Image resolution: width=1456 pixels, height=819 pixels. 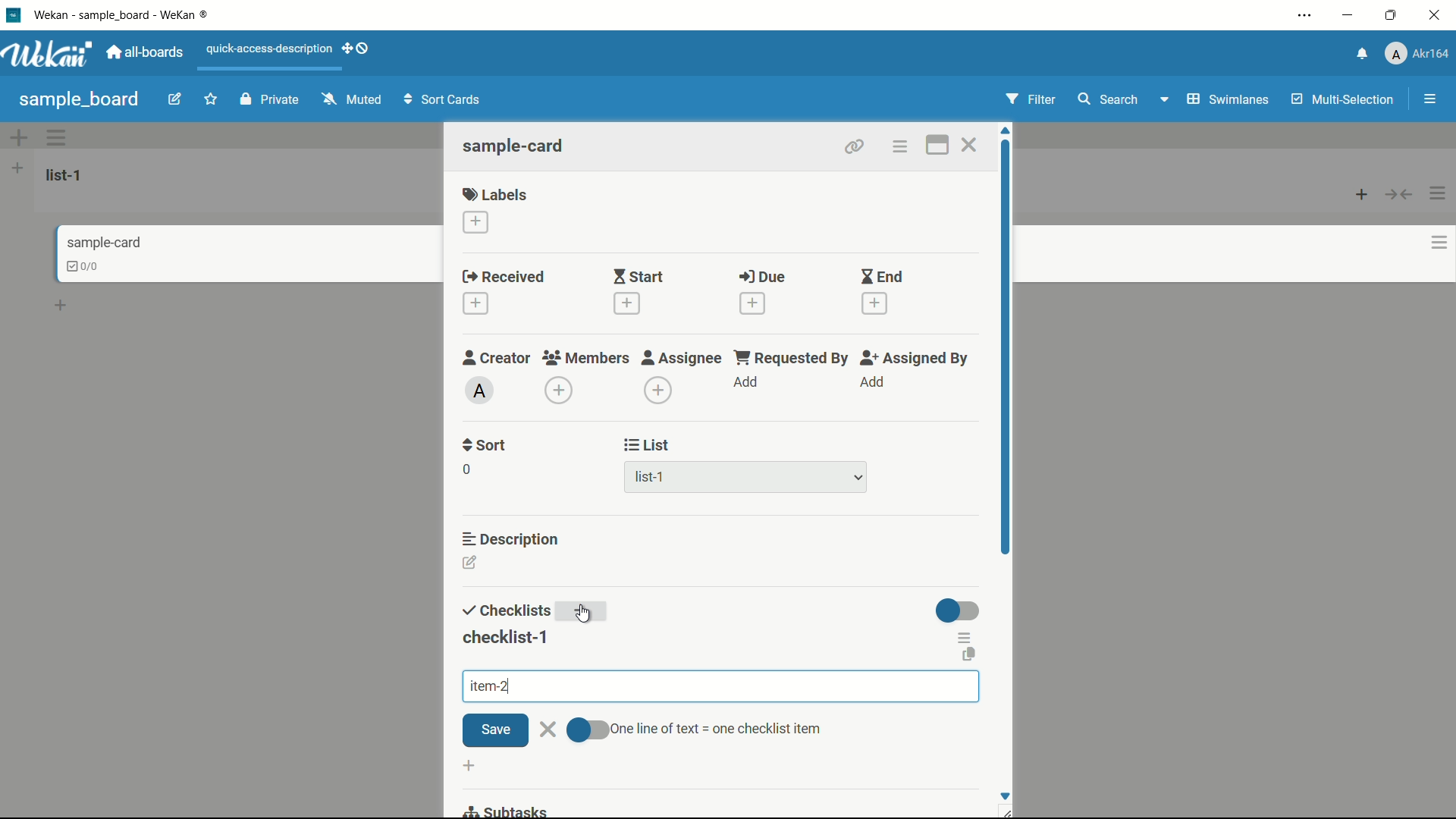 What do you see at coordinates (682, 358) in the screenshot?
I see `assignee` at bounding box center [682, 358].